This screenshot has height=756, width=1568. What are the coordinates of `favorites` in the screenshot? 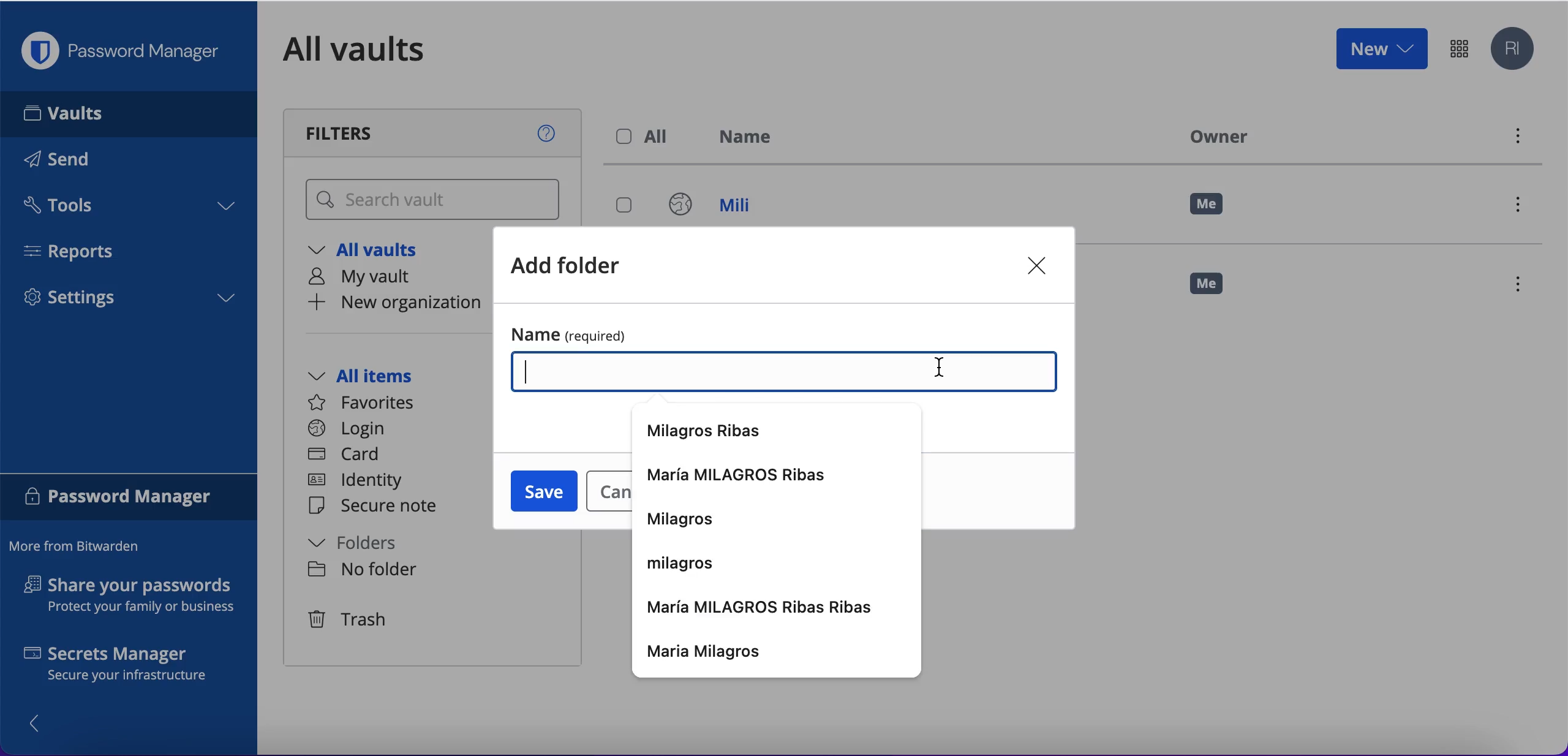 It's located at (369, 403).